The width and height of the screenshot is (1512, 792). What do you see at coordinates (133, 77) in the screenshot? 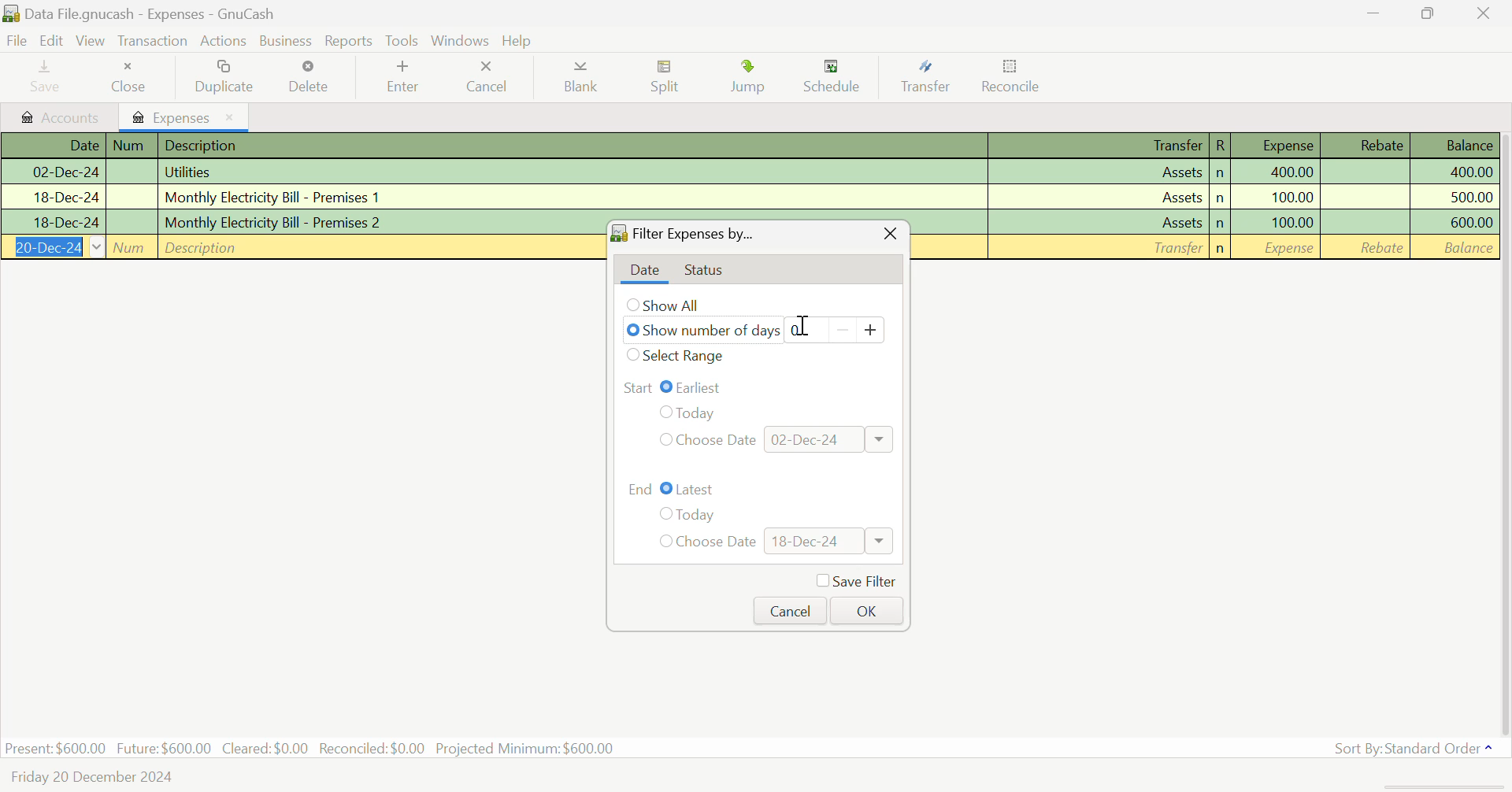
I see `Close` at bounding box center [133, 77].